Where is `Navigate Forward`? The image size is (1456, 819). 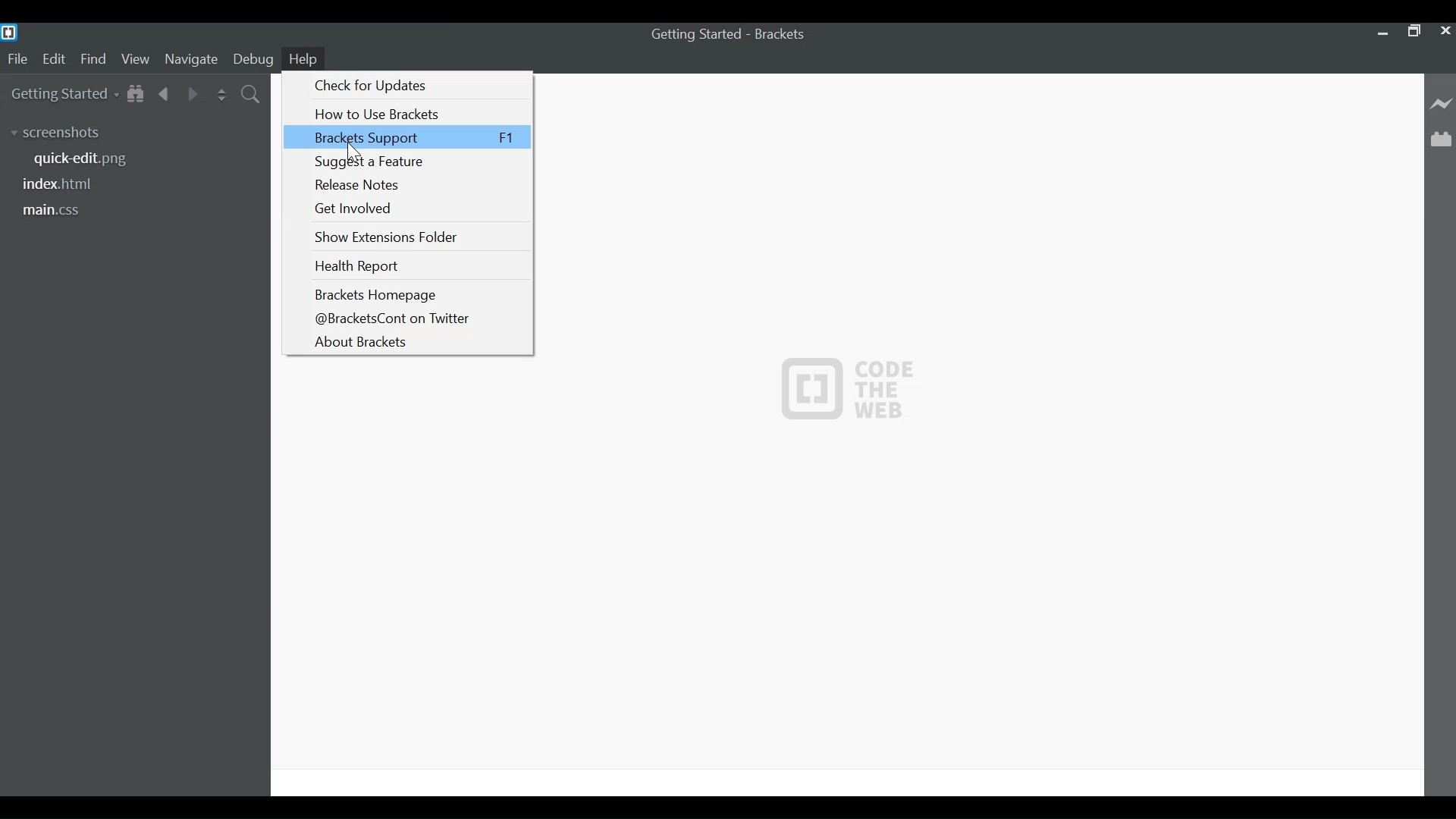 Navigate Forward is located at coordinates (190, 92).